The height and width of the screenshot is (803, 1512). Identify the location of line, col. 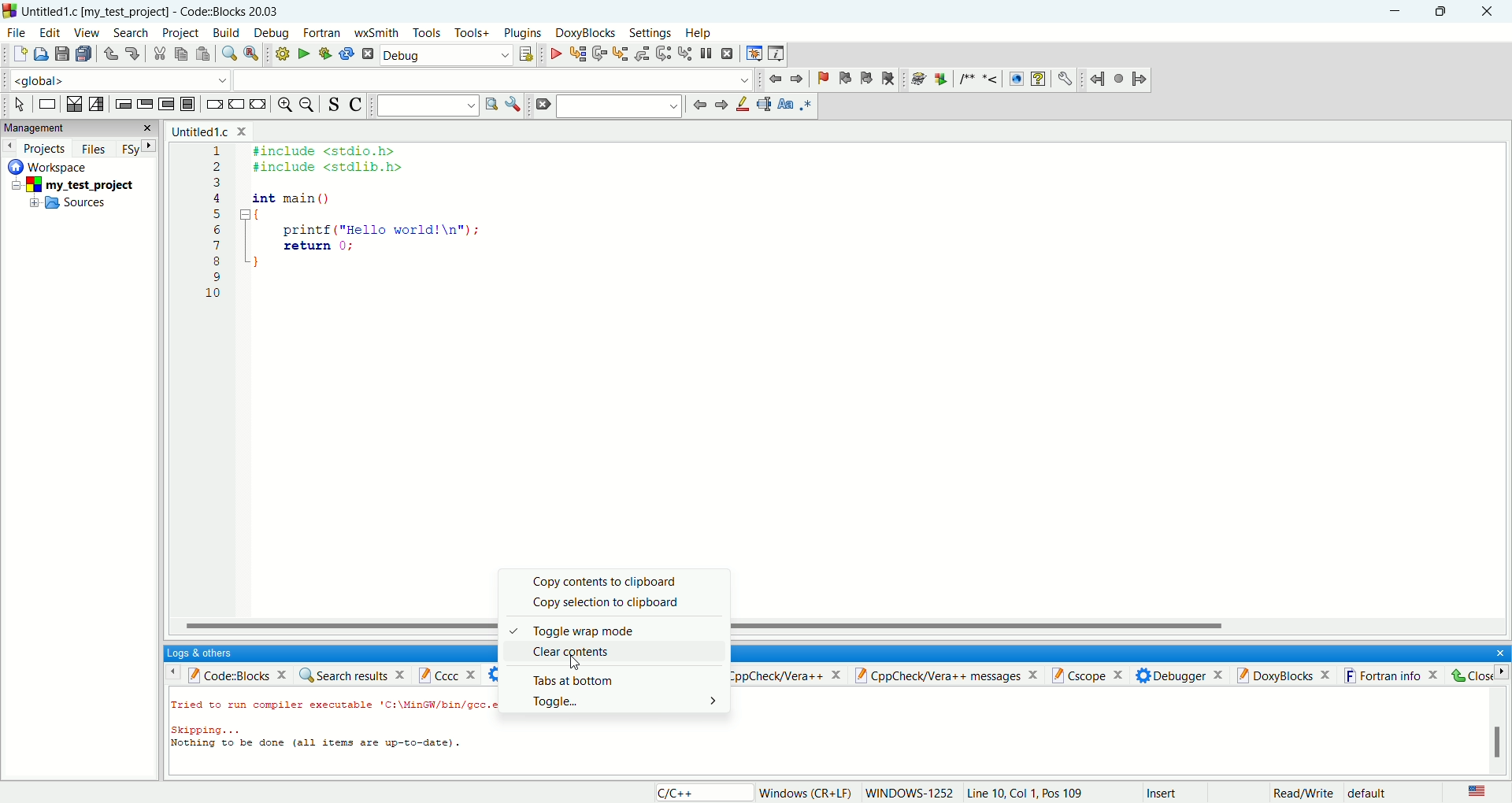
(1025, 794).